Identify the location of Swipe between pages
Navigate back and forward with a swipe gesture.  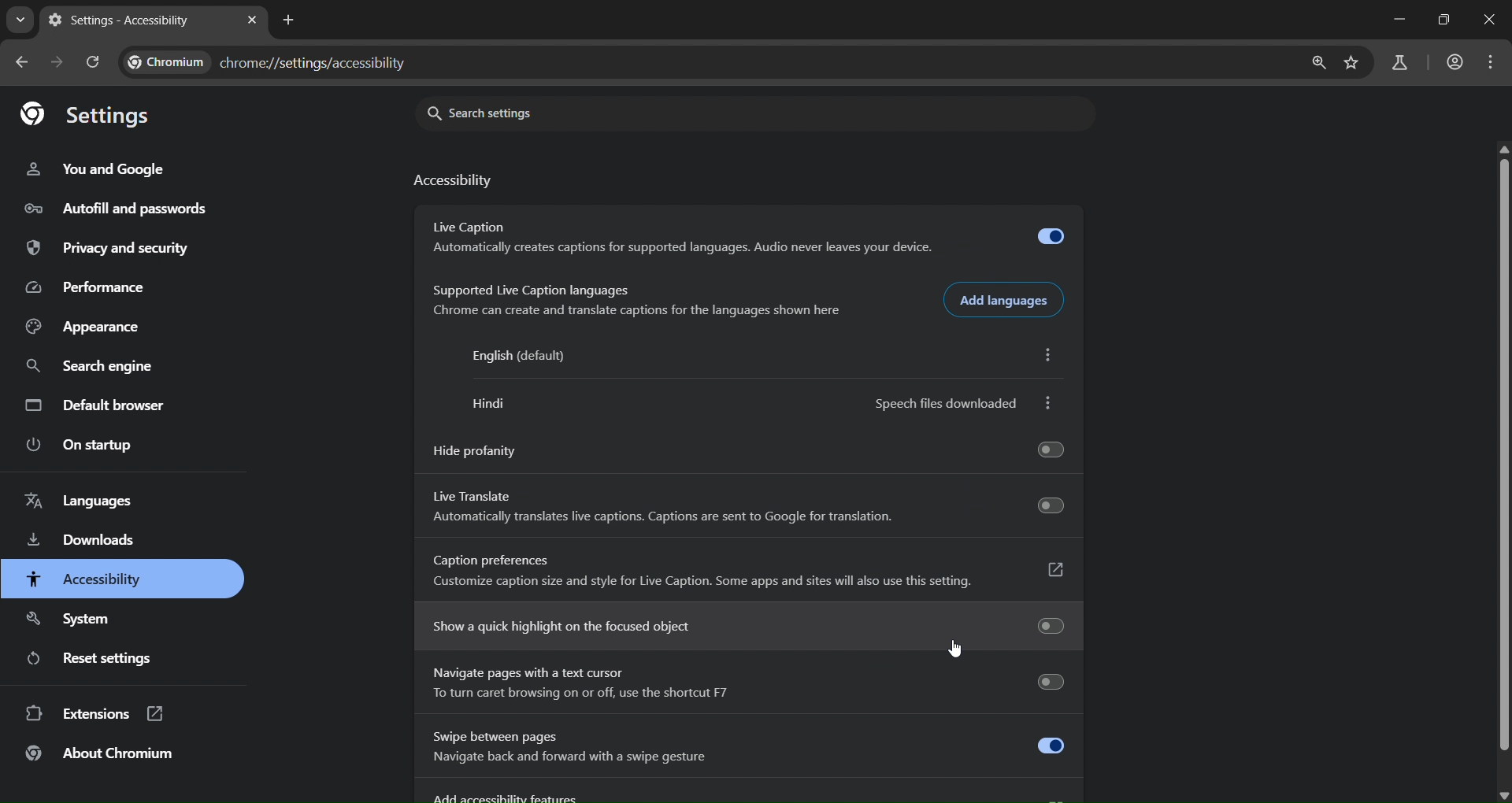
(751, 751).